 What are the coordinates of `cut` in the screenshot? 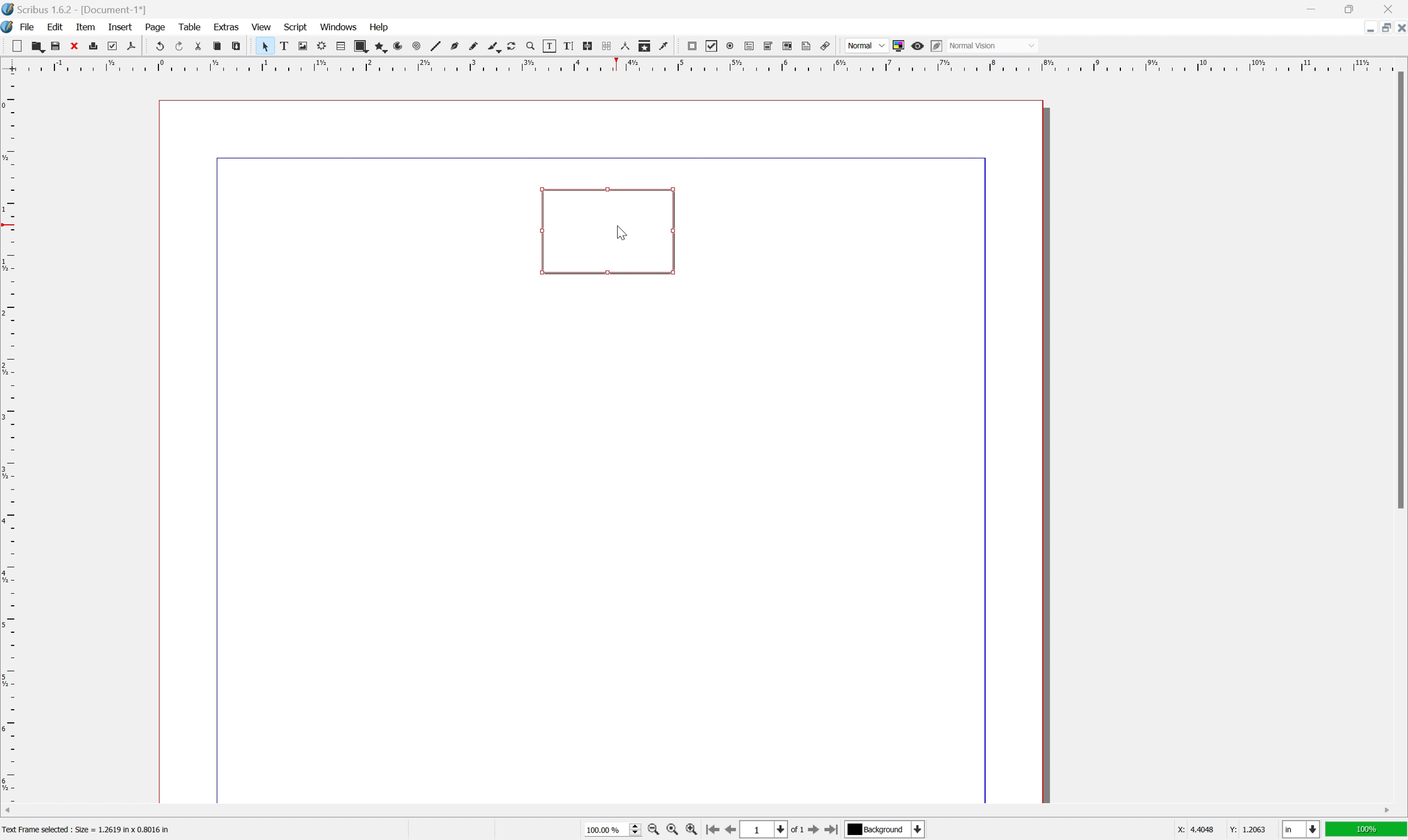 It's located at (74, 45).